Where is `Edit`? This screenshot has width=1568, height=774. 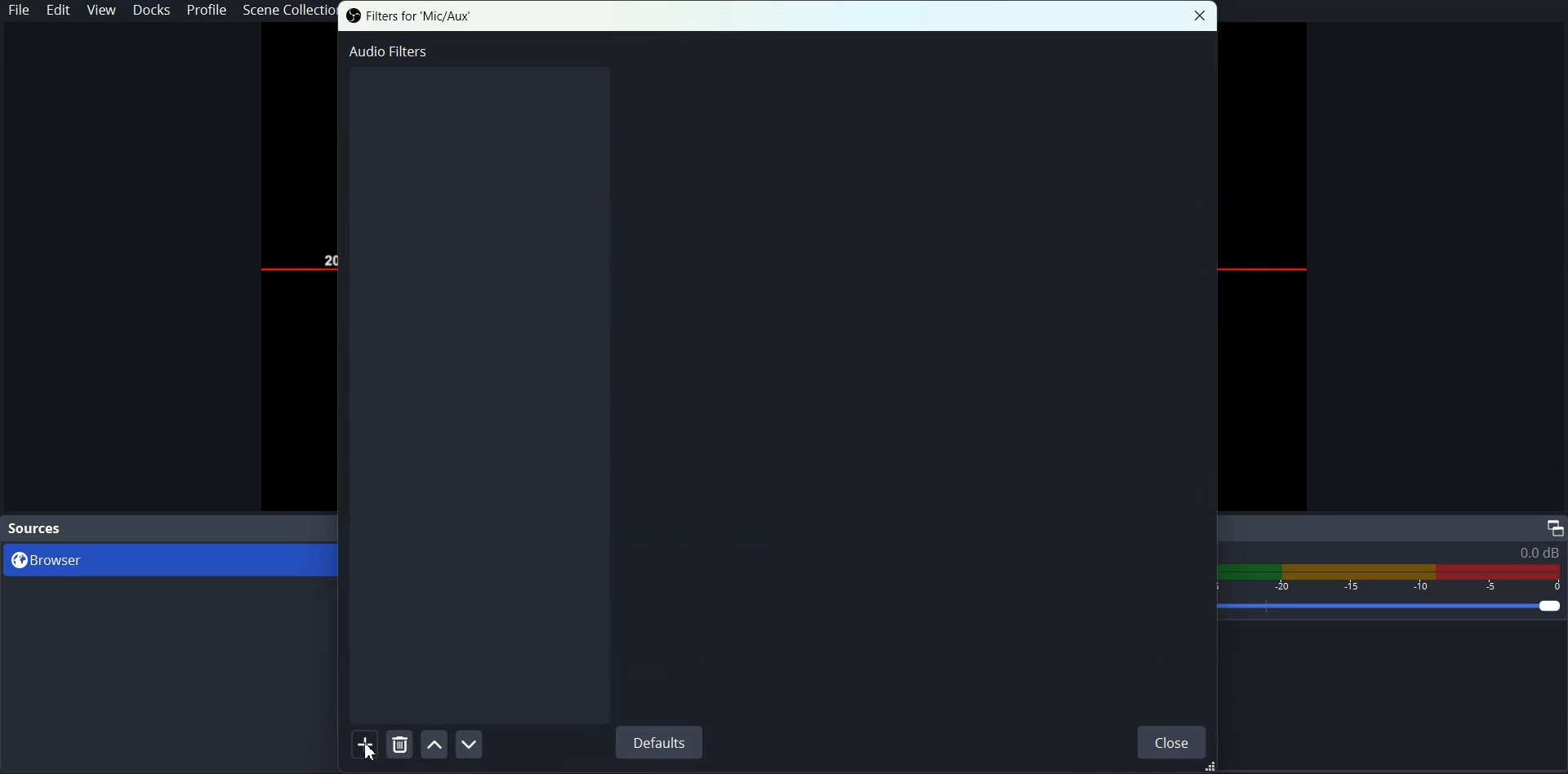 Edit is located at coordinates (60, 11).